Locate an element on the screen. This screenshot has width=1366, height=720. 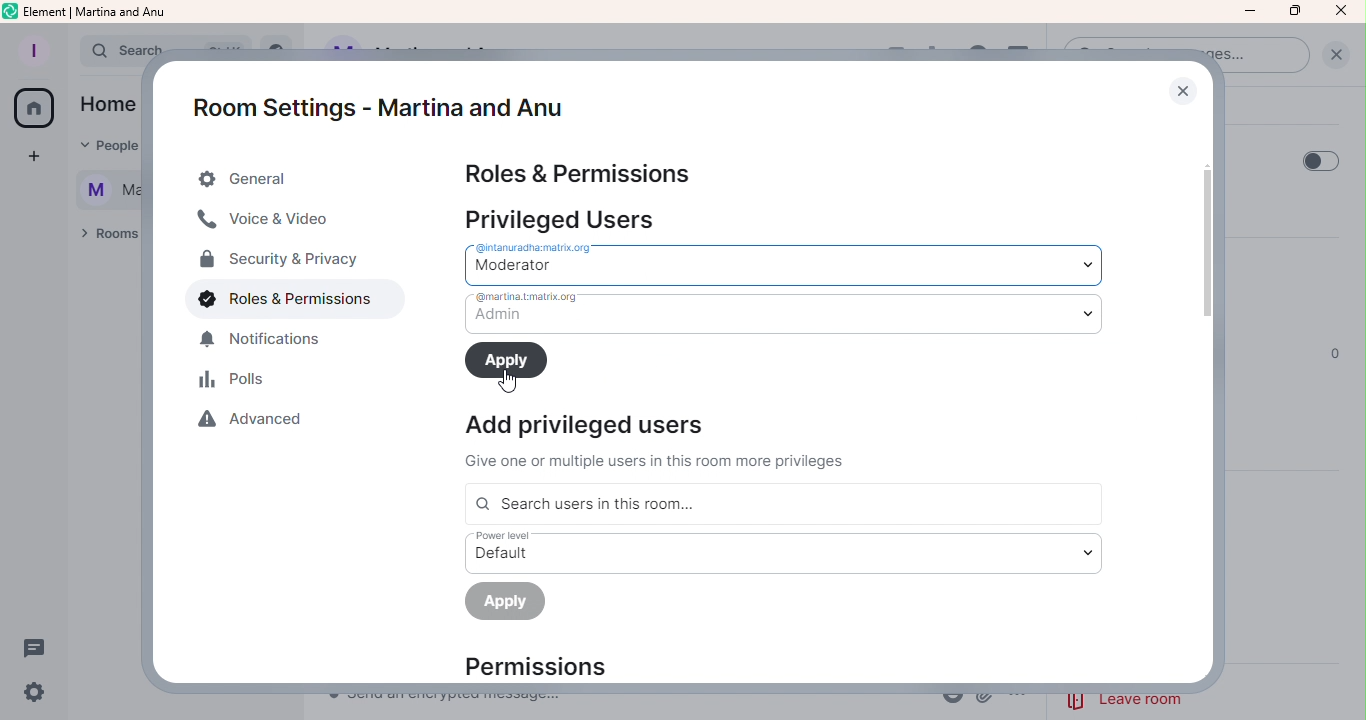
Maximize is located at coordinates (1293, 12).